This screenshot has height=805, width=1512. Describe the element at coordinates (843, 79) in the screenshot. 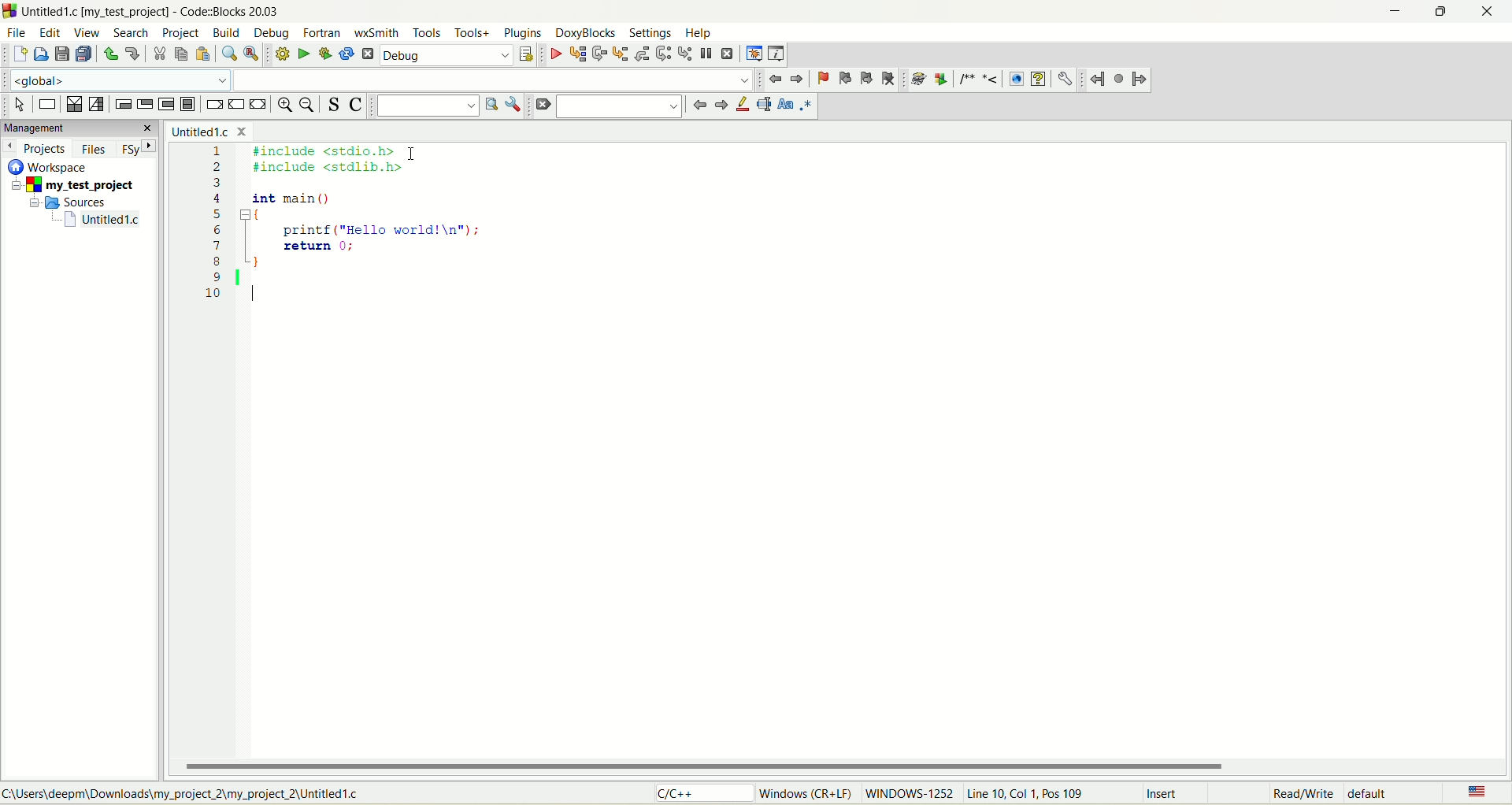

I see `previous bookmark` at that location.